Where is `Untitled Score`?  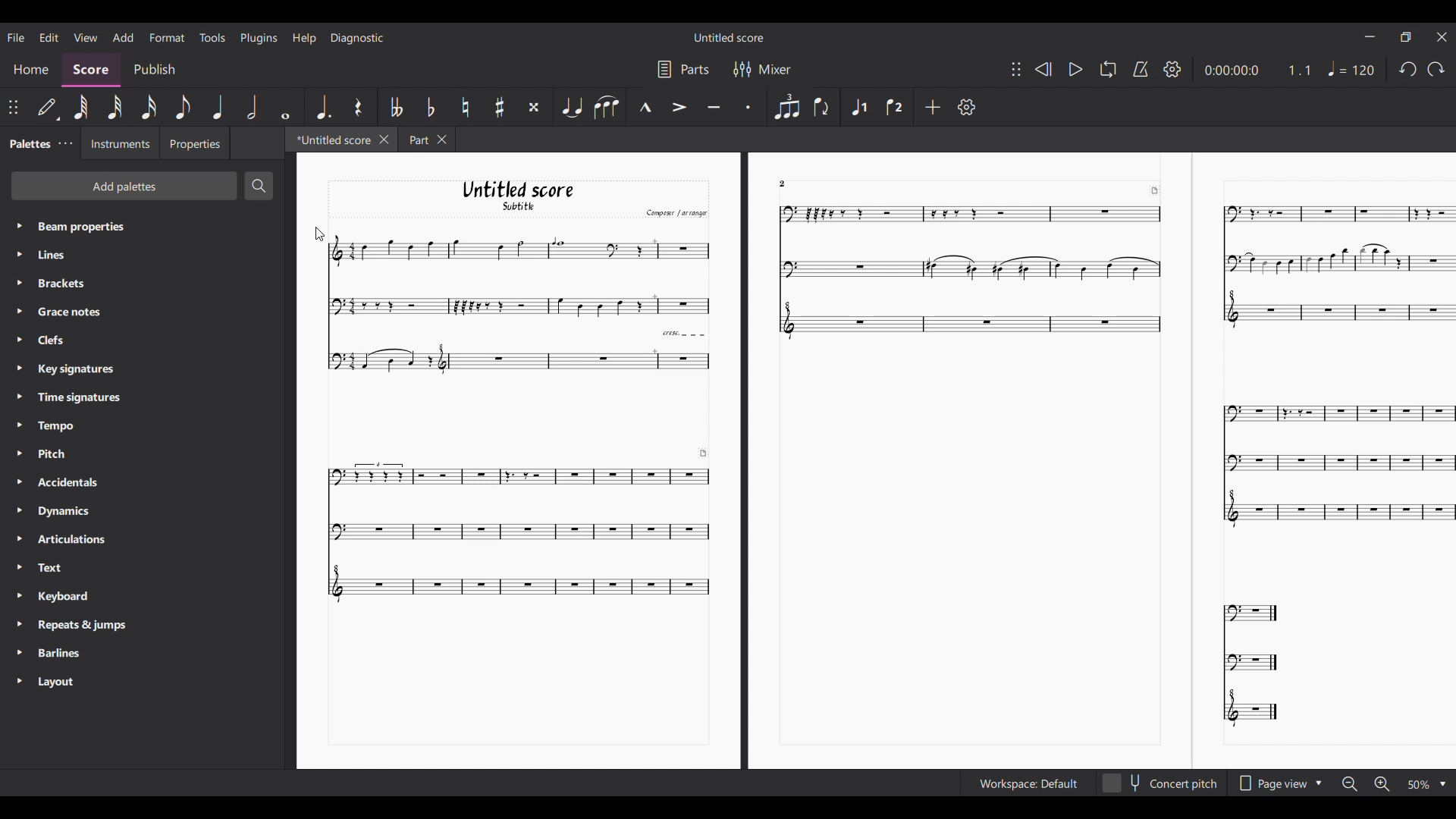
Untitled Score is located at coordinates (729, 37).